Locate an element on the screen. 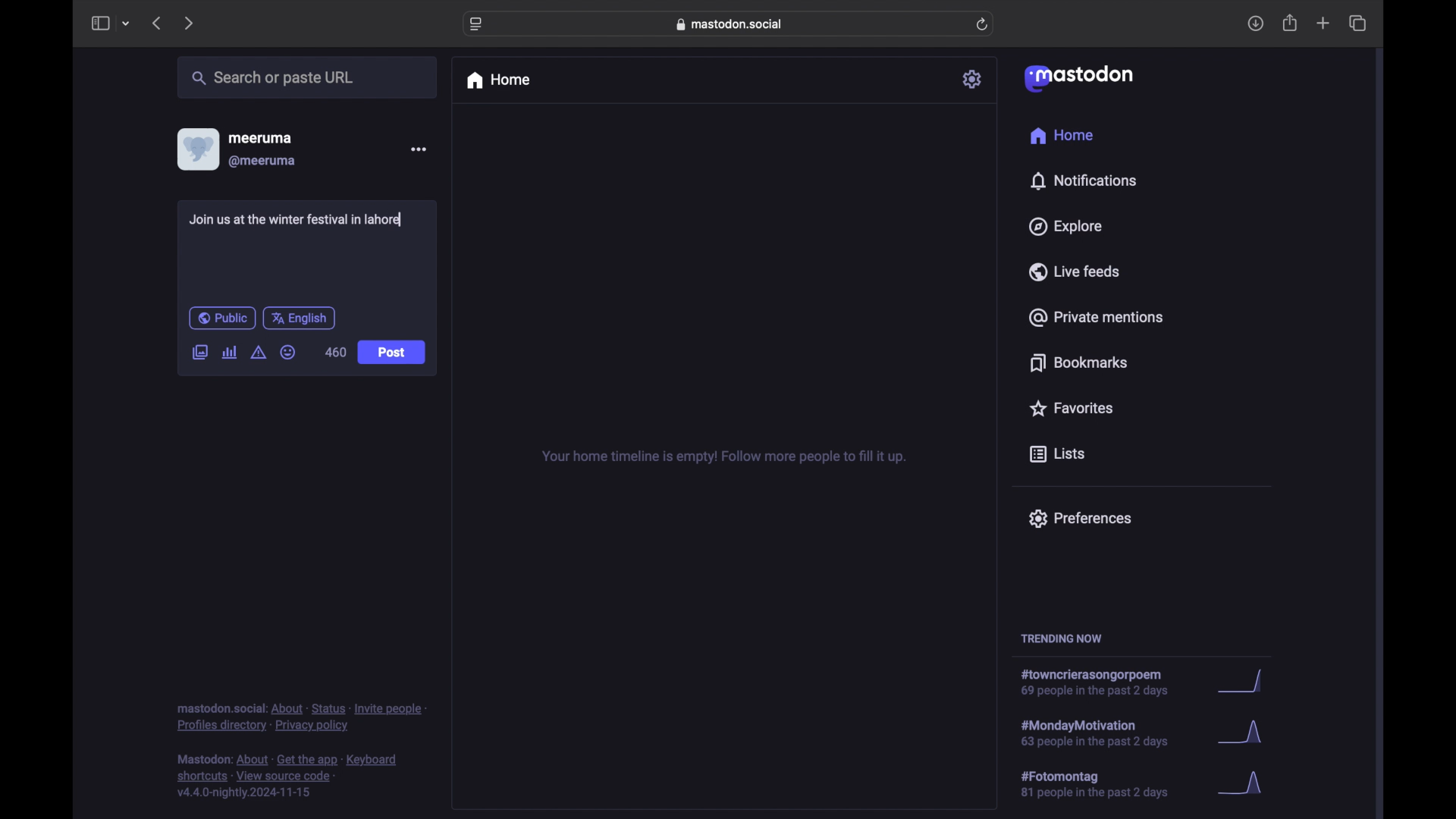  live feeds is located at coordinates (1075, 271).